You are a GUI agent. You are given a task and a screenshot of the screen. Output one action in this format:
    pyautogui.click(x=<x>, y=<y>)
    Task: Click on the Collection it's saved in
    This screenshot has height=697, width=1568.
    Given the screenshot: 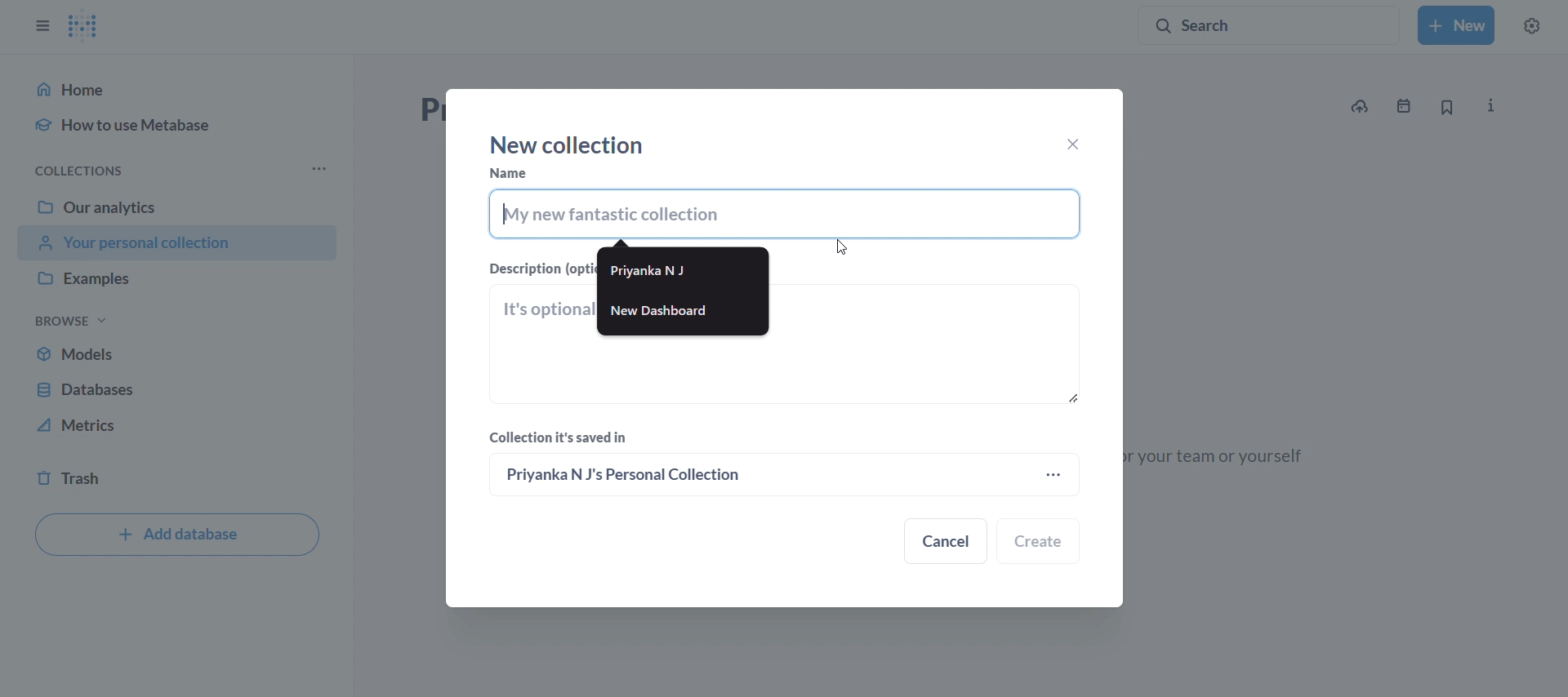 What is the action you would take?
    pyautogui.click(x=562, y=440)
    